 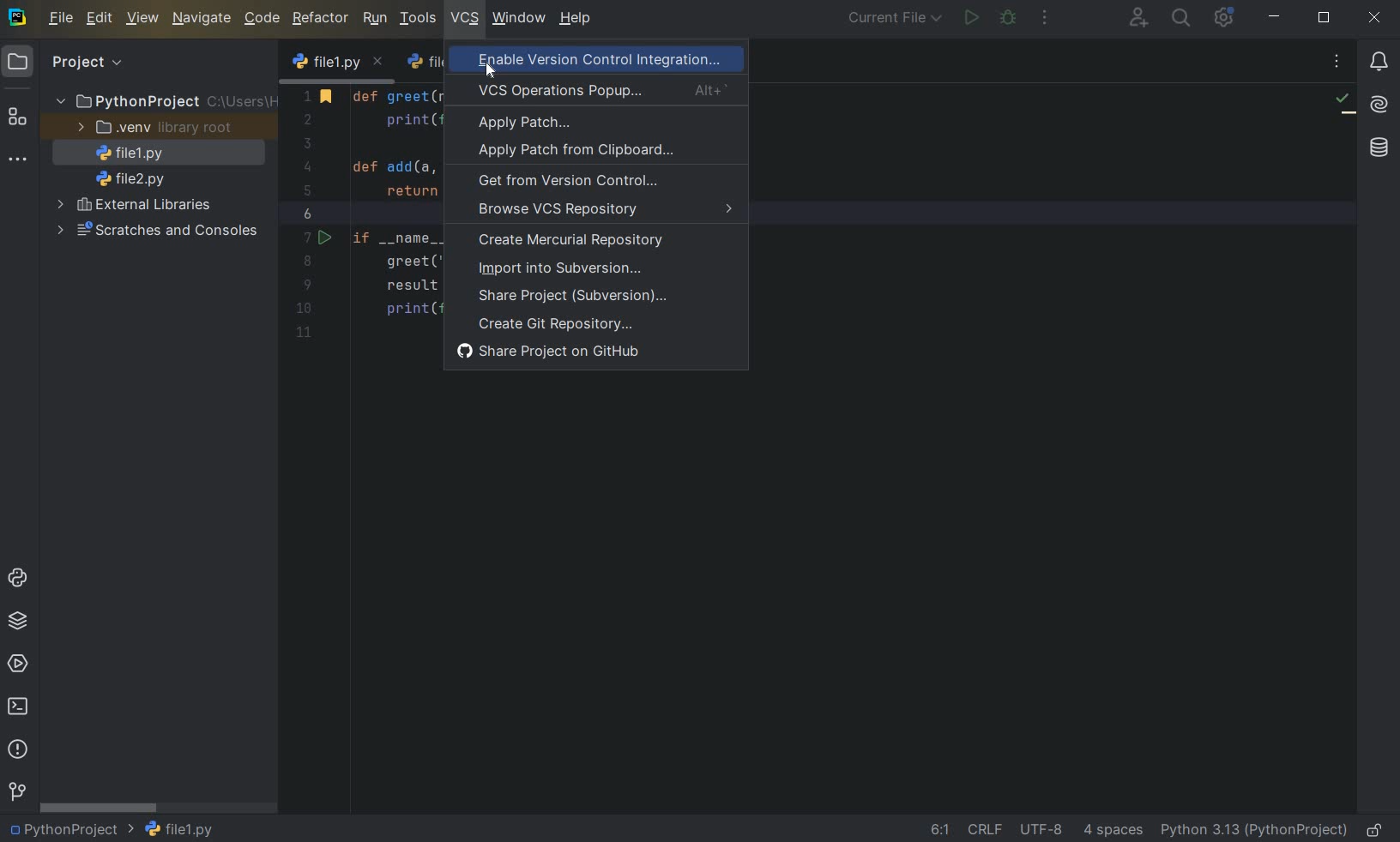 What do you see at coordinates (179, 828) in the screenshot?
I see `file name 1` at bounding box center [179, 828].